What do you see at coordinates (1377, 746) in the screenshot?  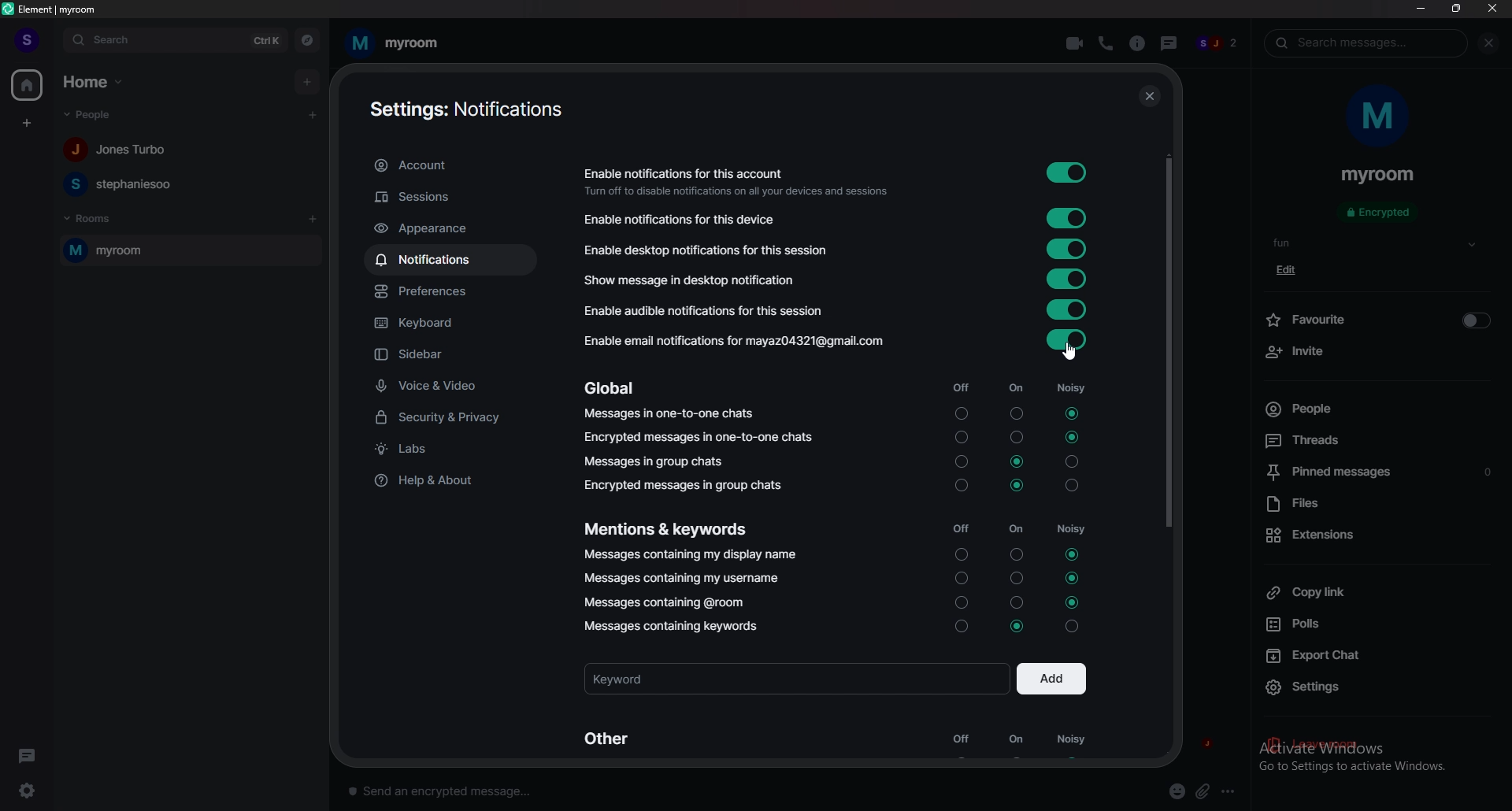 I see `leave room` at bounding box center [1377, 746].